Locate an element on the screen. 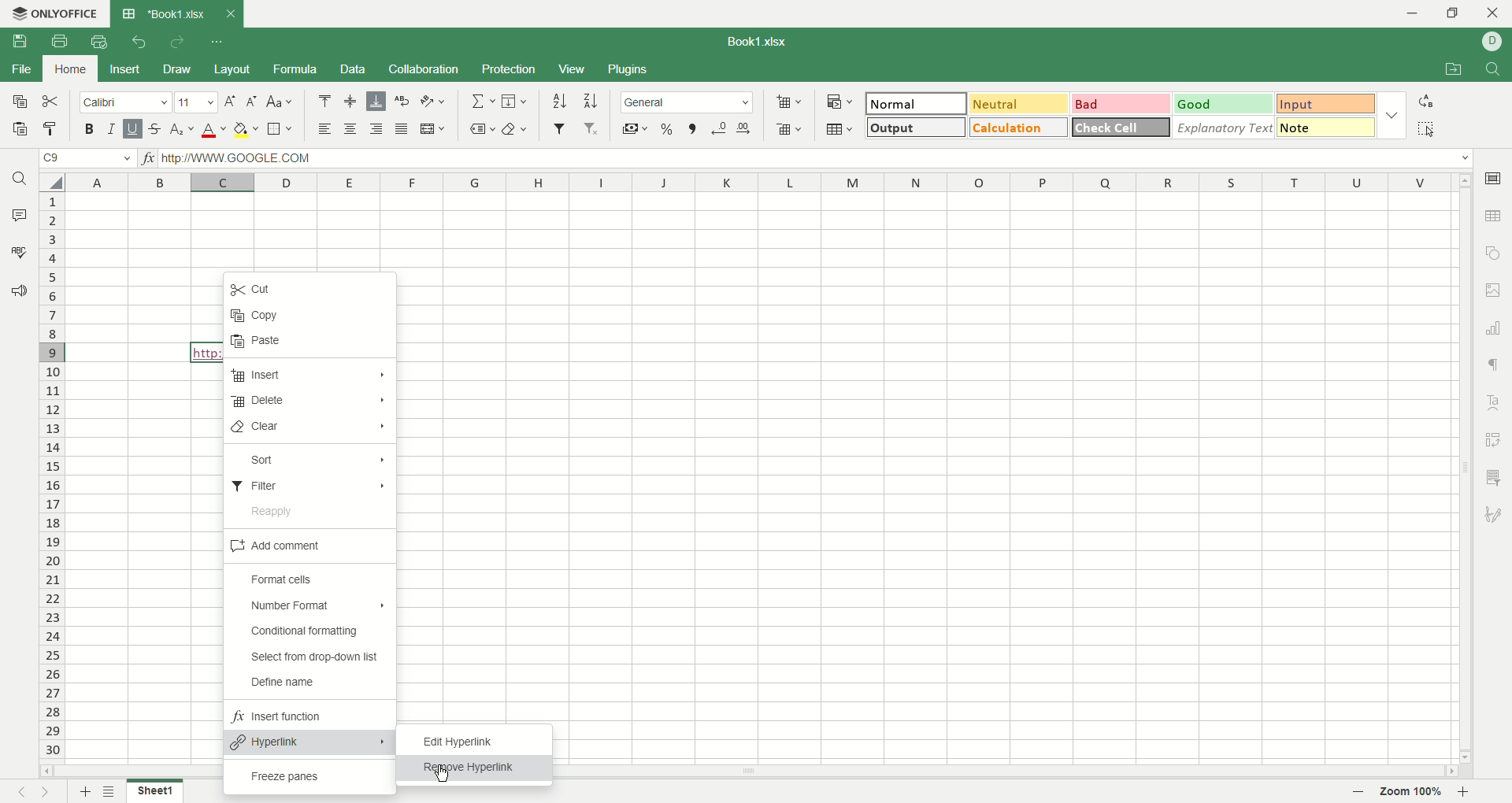 This screenshot has width=1512, height=803. check cell is located at coordinates (1120, 128).